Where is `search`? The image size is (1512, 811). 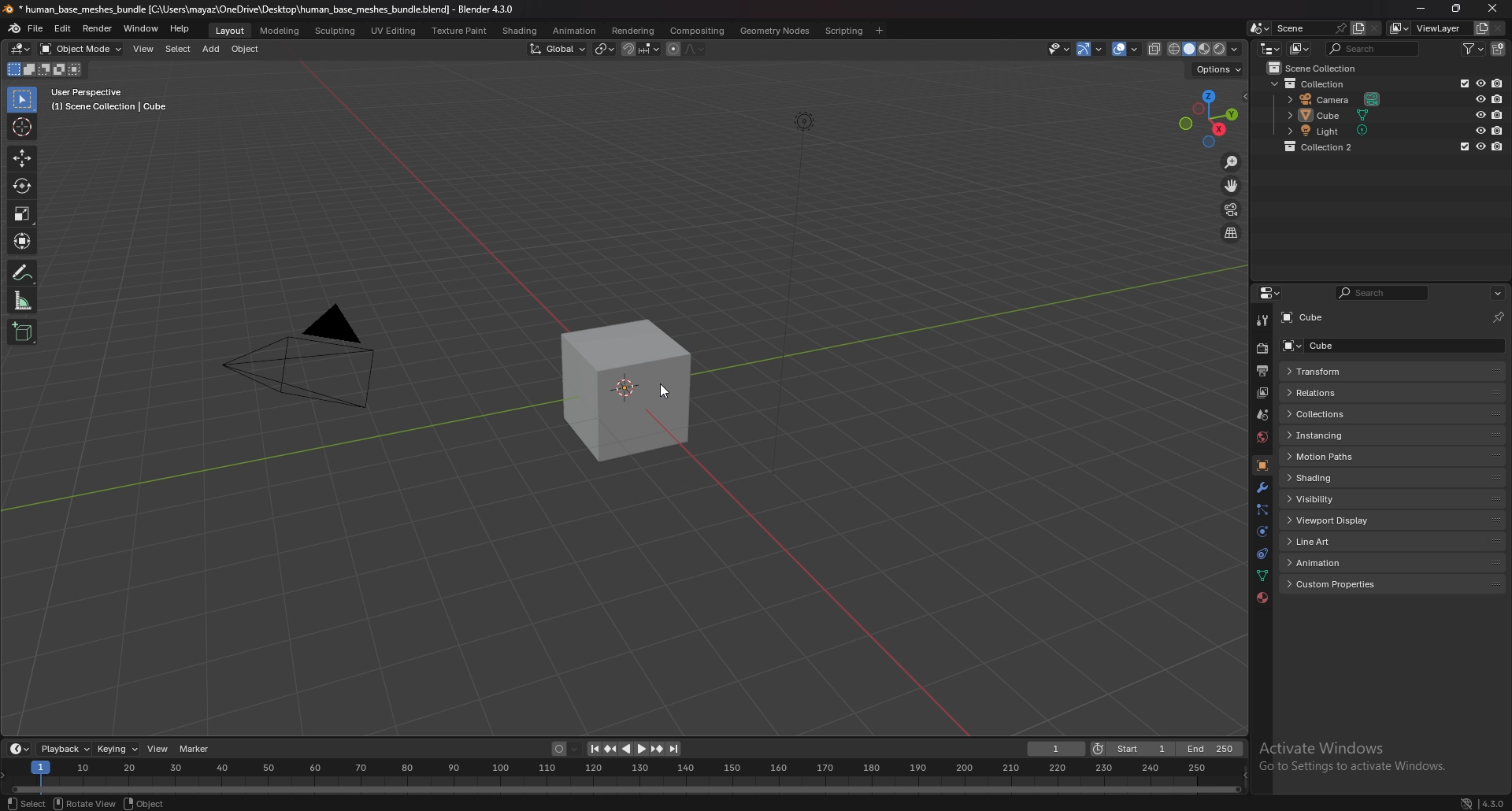 search is located at coordinates (1380, 294).